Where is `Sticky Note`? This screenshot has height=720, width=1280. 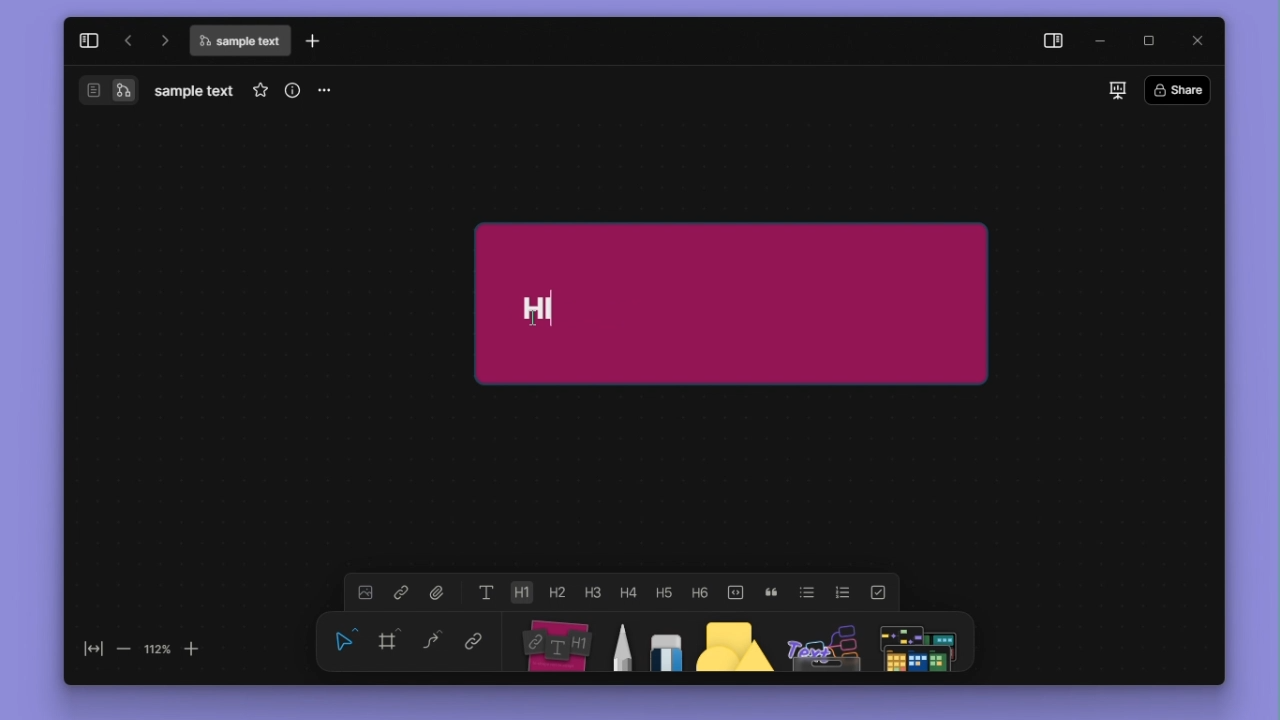
Sticky Note is located at coordinates (783, 302).